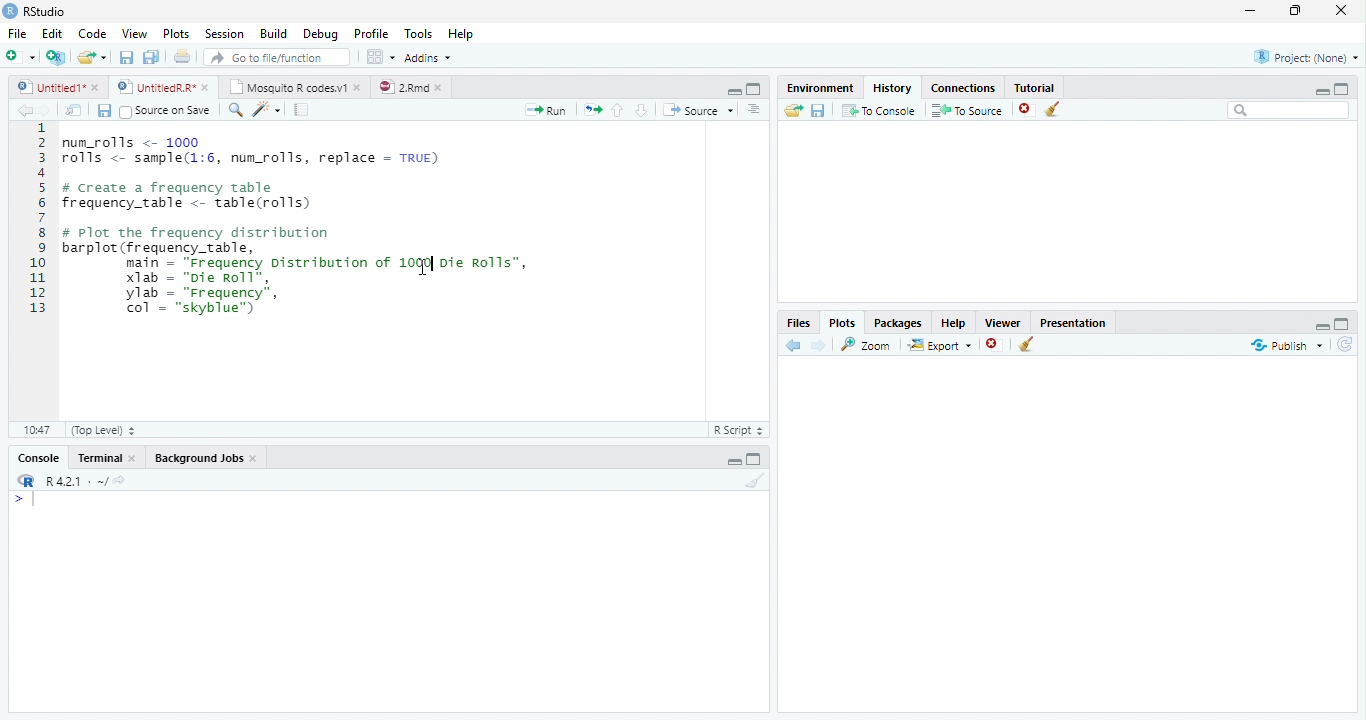 This screenshot has height=720, width=1366. What do you see at coordinates (819, 110) in the screenshot?
I see `Save File` at bounding box center [819, 110].